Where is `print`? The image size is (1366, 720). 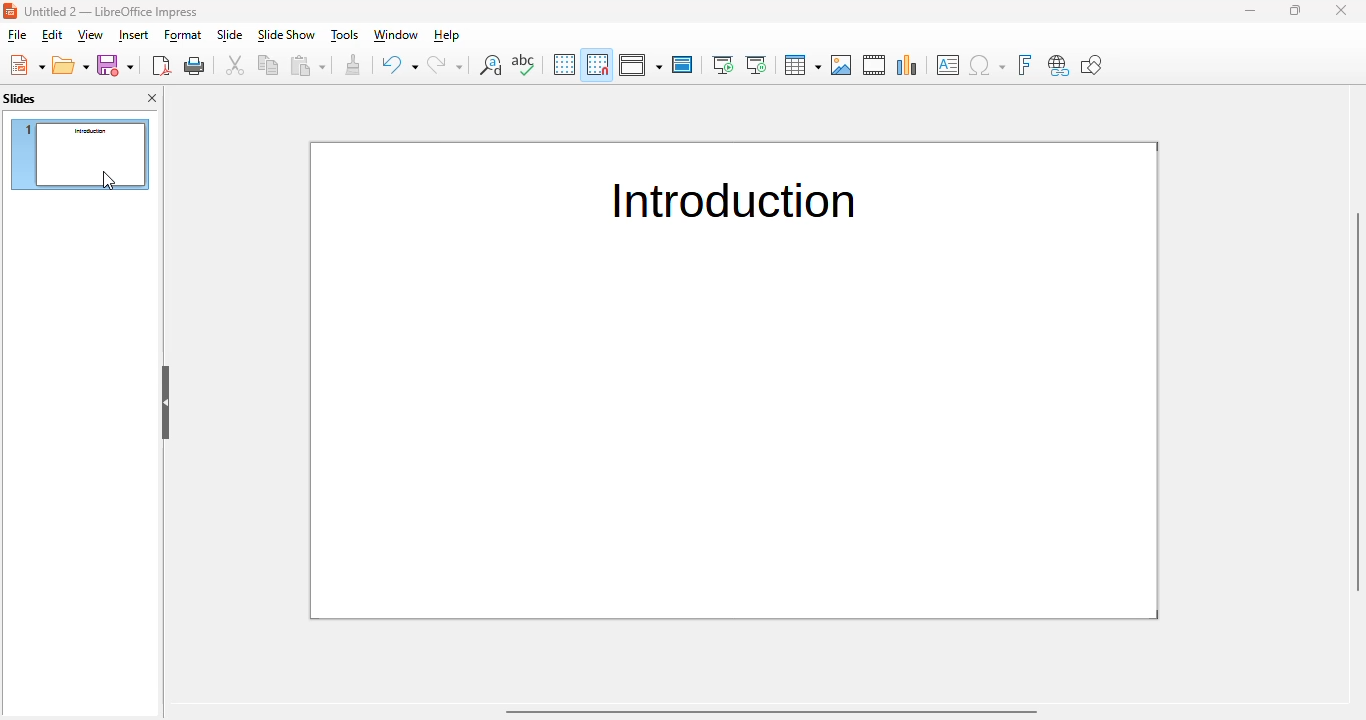
print is located at coordinates (195, 66).